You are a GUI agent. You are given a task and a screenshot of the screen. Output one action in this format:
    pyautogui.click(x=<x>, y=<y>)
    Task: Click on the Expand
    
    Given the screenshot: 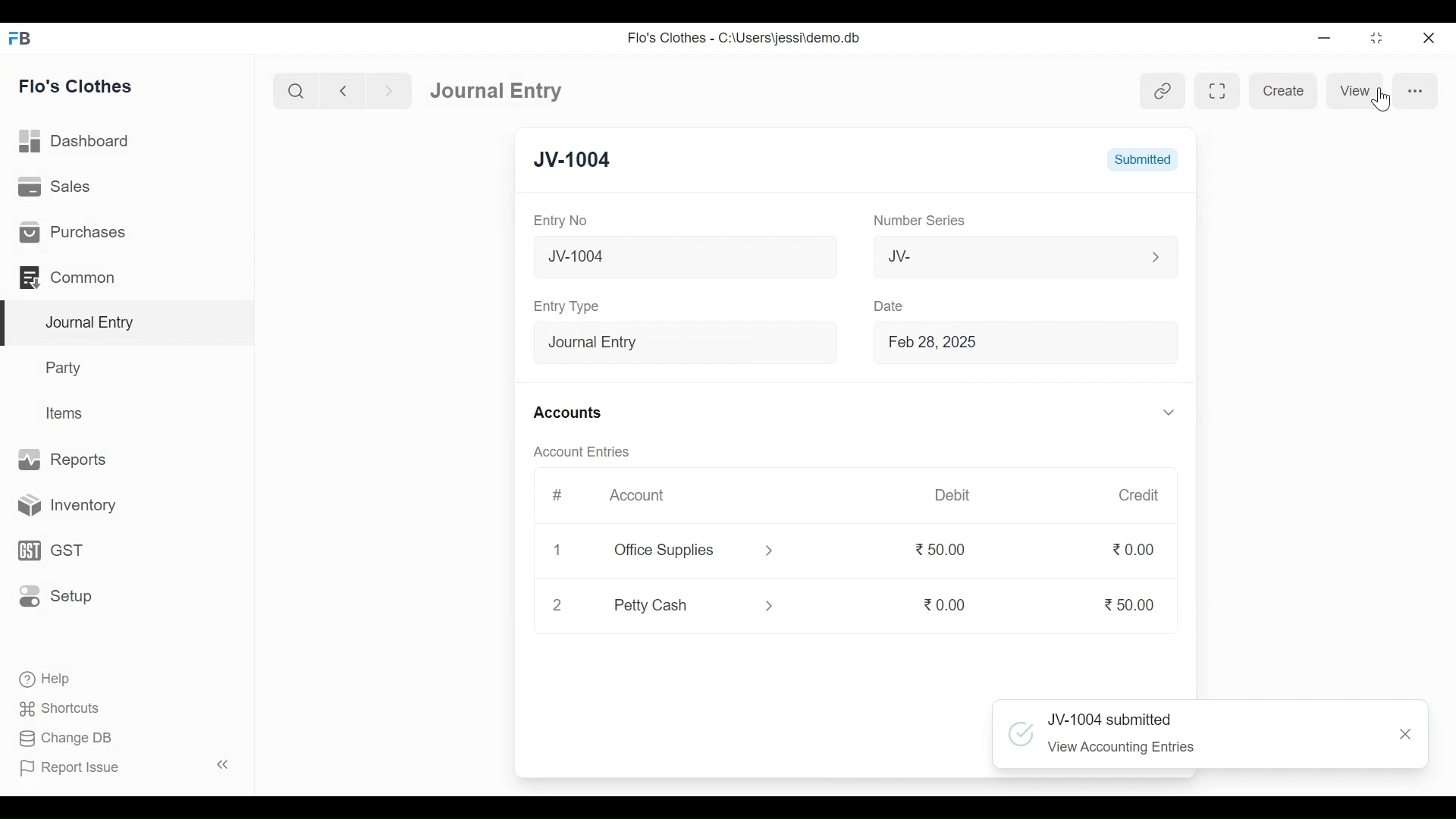 What is the action you would take?
    pyautogui.click(x=1150, y=256)
    